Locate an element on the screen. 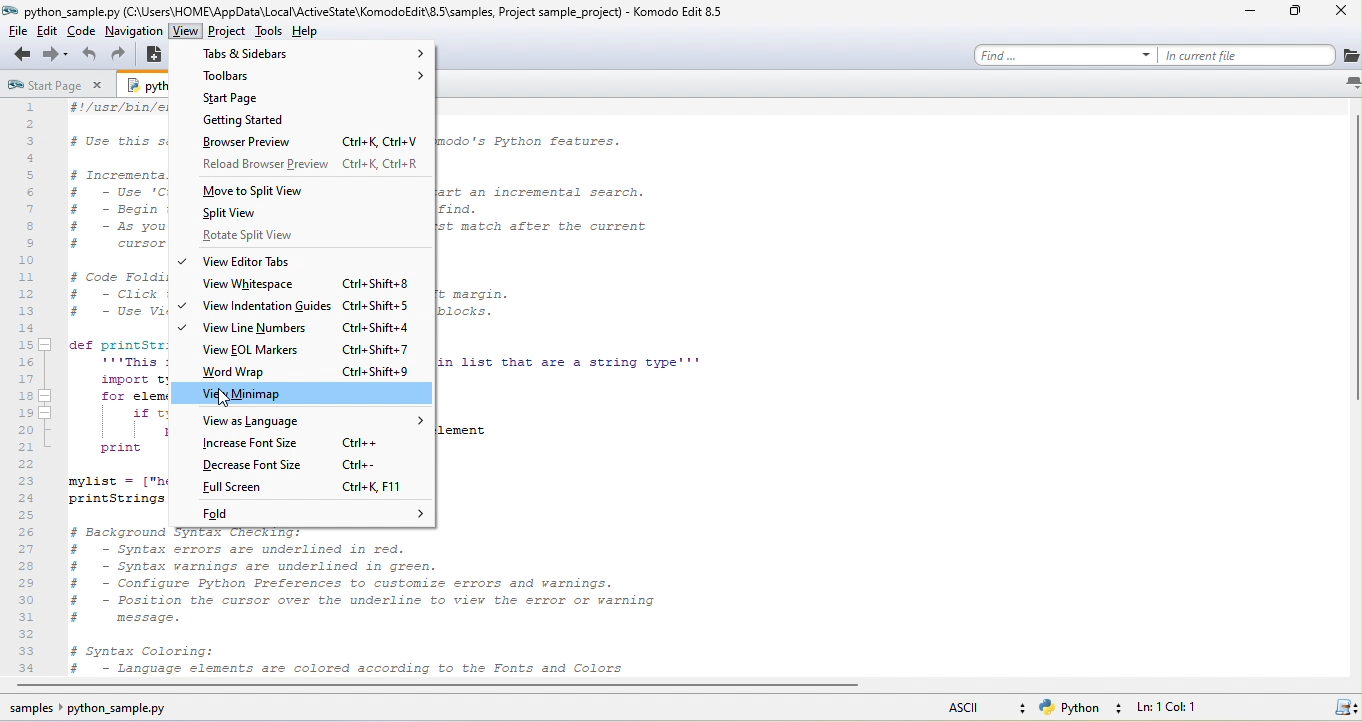 This screenshot has width=1362, height=722. decrease font size is located at coordinates (303, 463).